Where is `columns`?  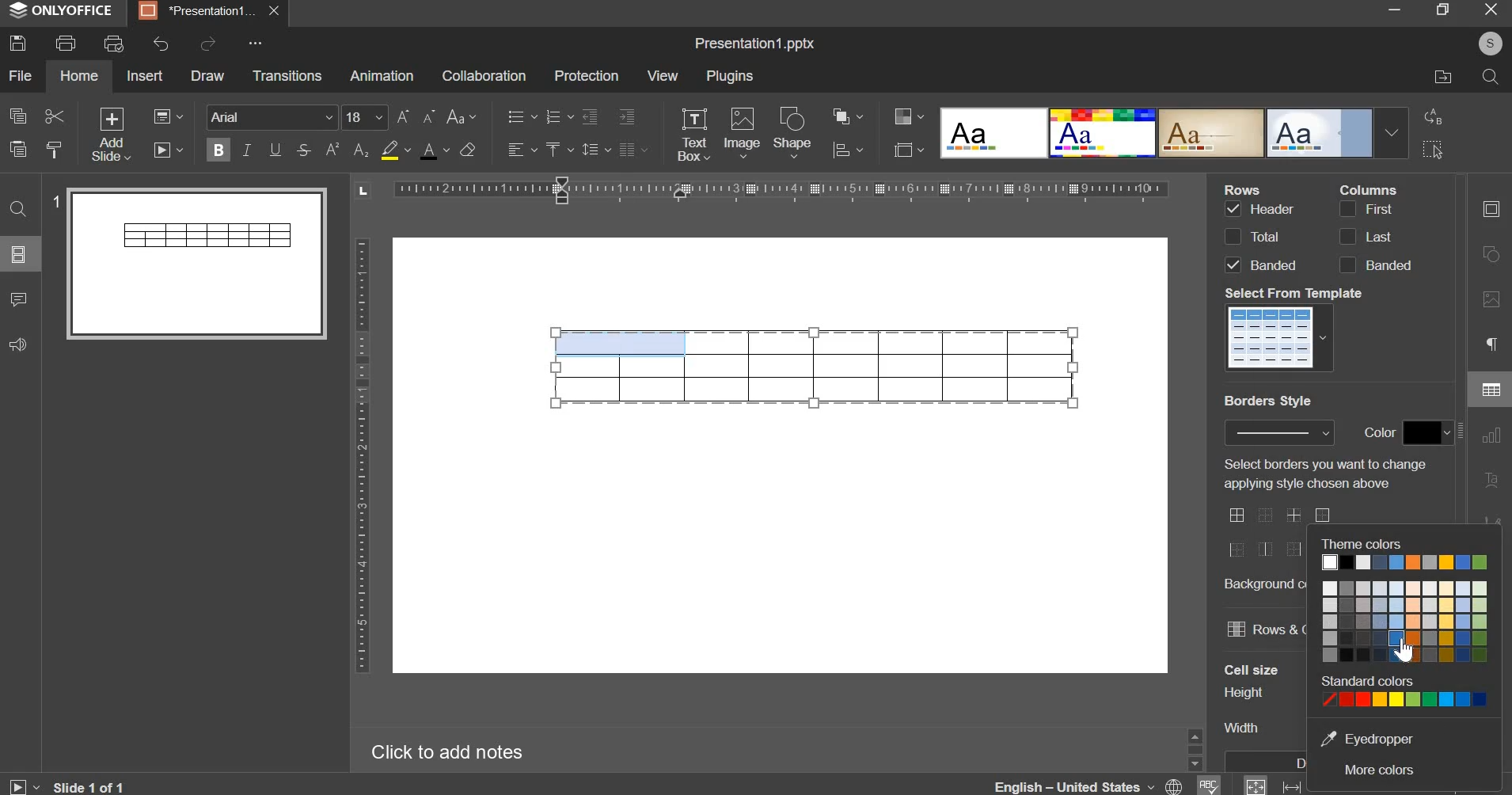
columns is located at coordinates (1373, 236).